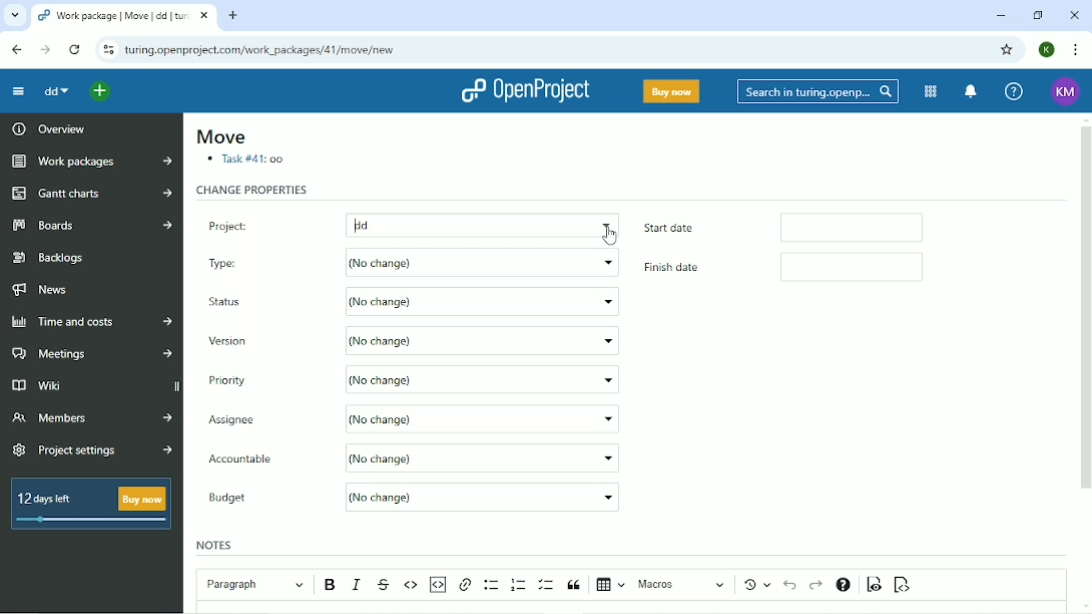 The width and height of the screenshot is (1092, 614). Describe the element at coordinates (76, 50) in the screenshot. I see `reload this page` at that location.